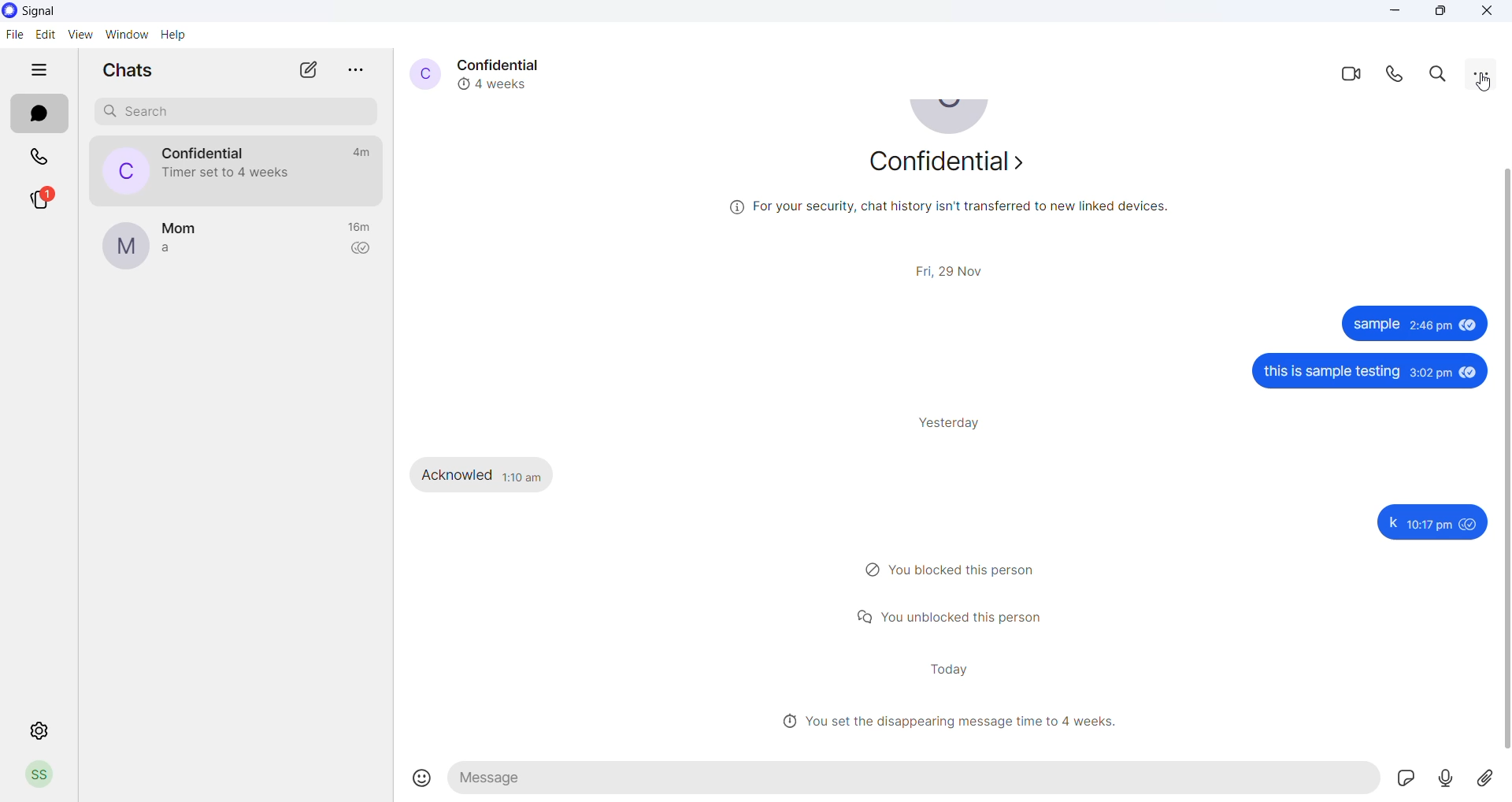 The image size is (1512, 802). What do you see at coordinates (41, 199) in the screenshot?
I see `stories` at bounding box center [41, 199].